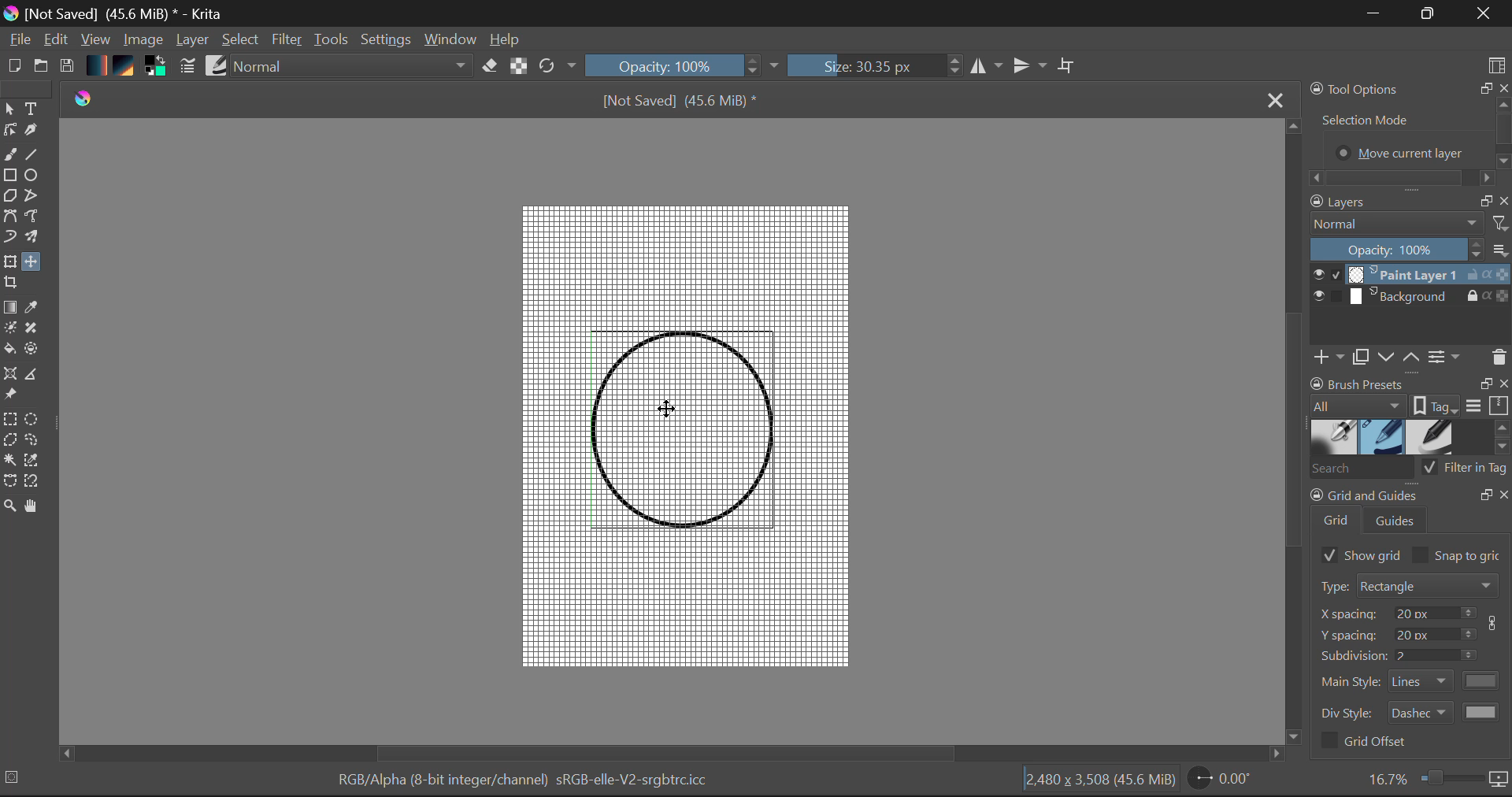 Image resolution: width=1512 pixels, height=797 pixels. I want to click on Image, so click(143, 41).